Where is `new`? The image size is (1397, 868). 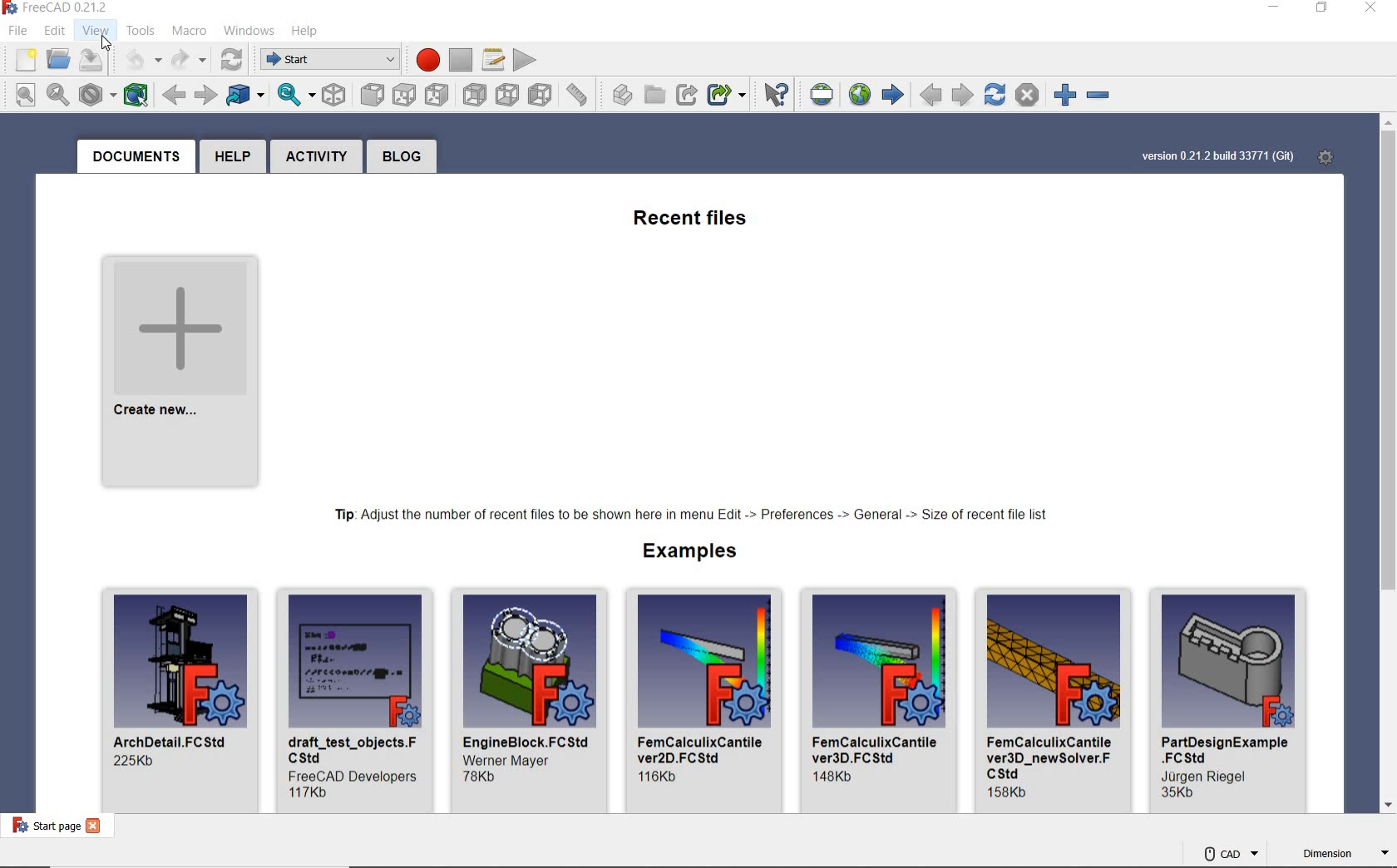 new is located at coordinates (24, 61).